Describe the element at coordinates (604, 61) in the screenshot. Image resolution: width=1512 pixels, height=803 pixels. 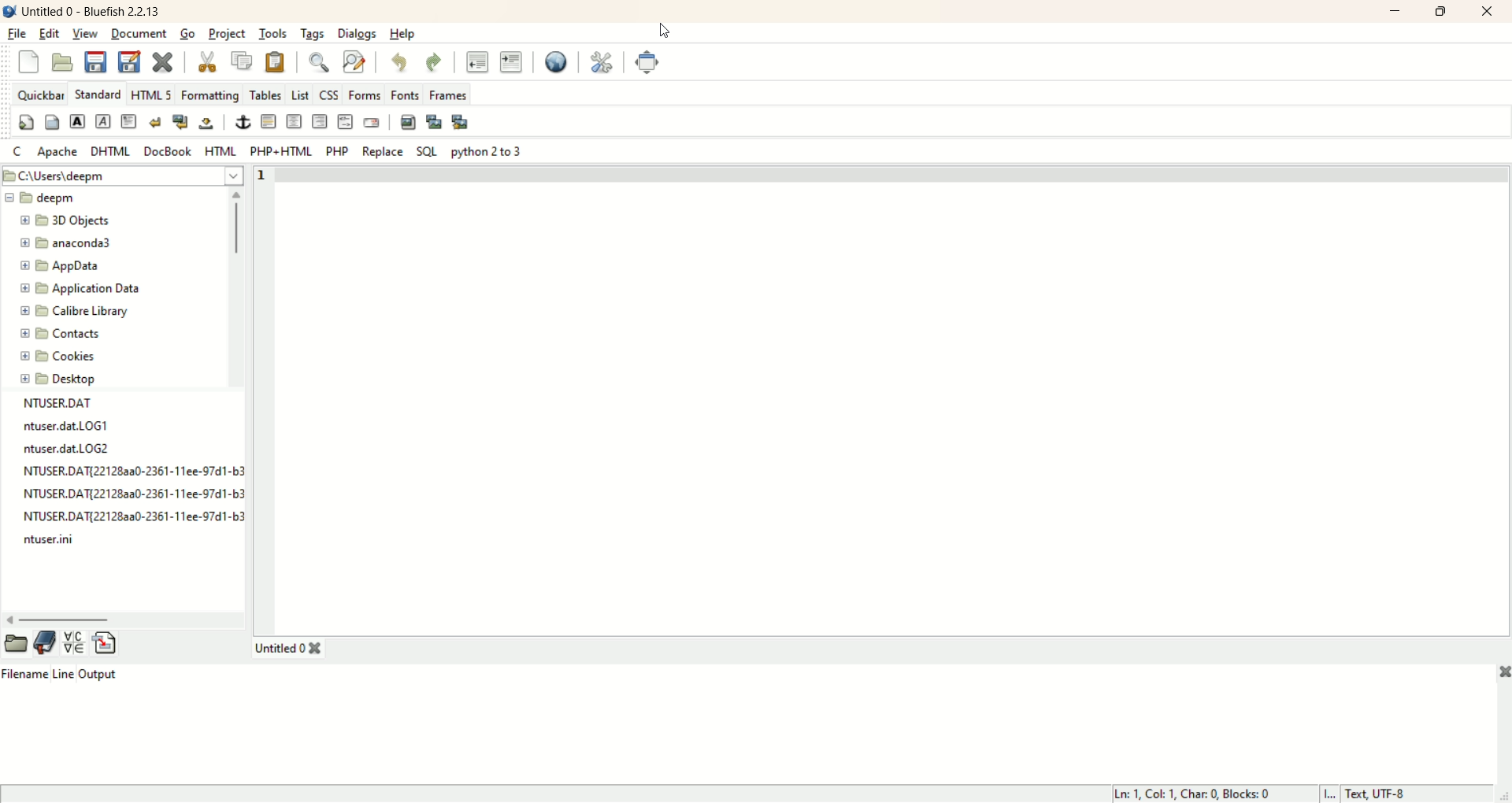
I see `edit preferences` at that location.